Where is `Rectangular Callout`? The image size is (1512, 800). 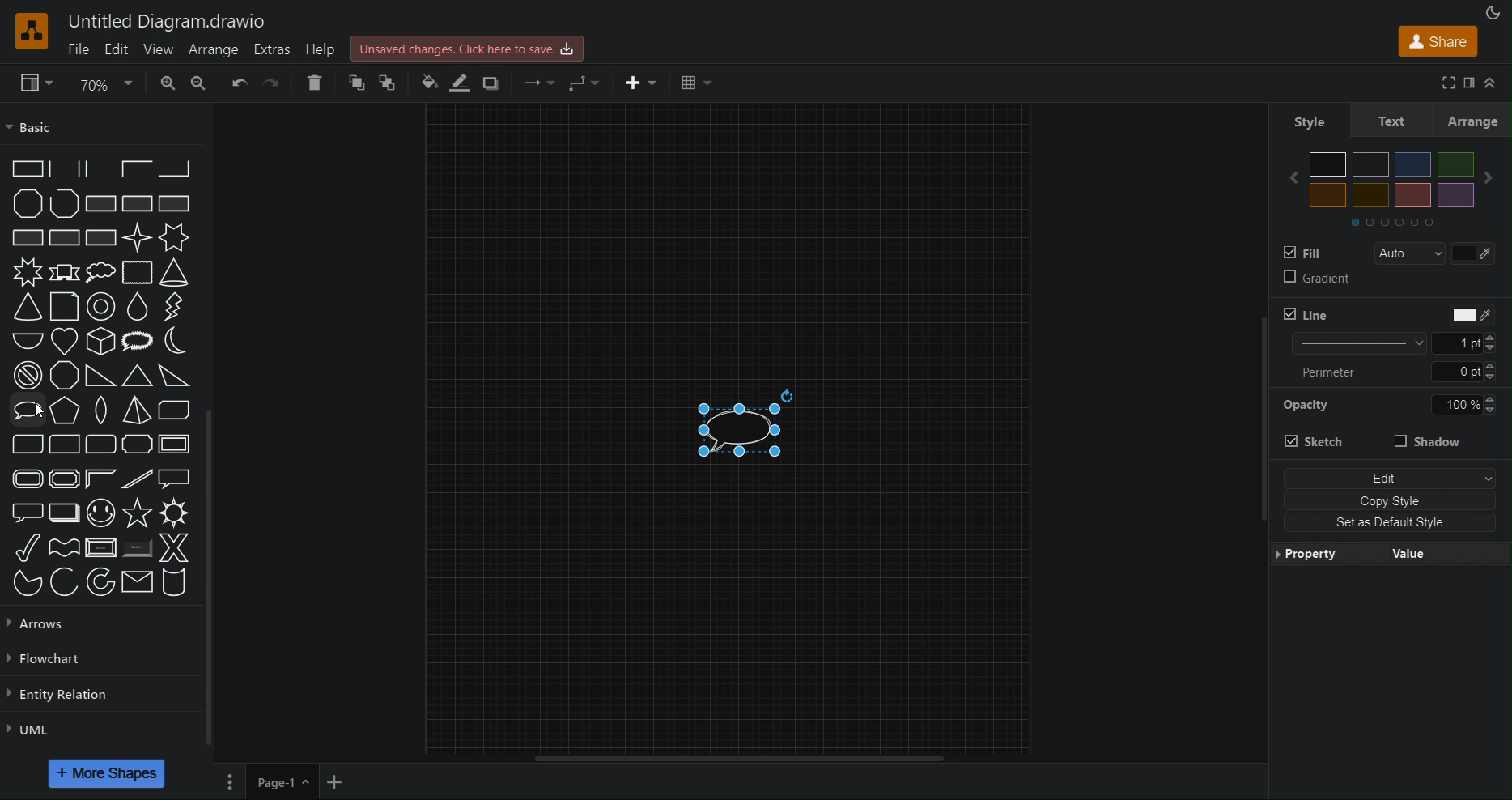
Rectangular Callout is located at coordinates (175, 479).